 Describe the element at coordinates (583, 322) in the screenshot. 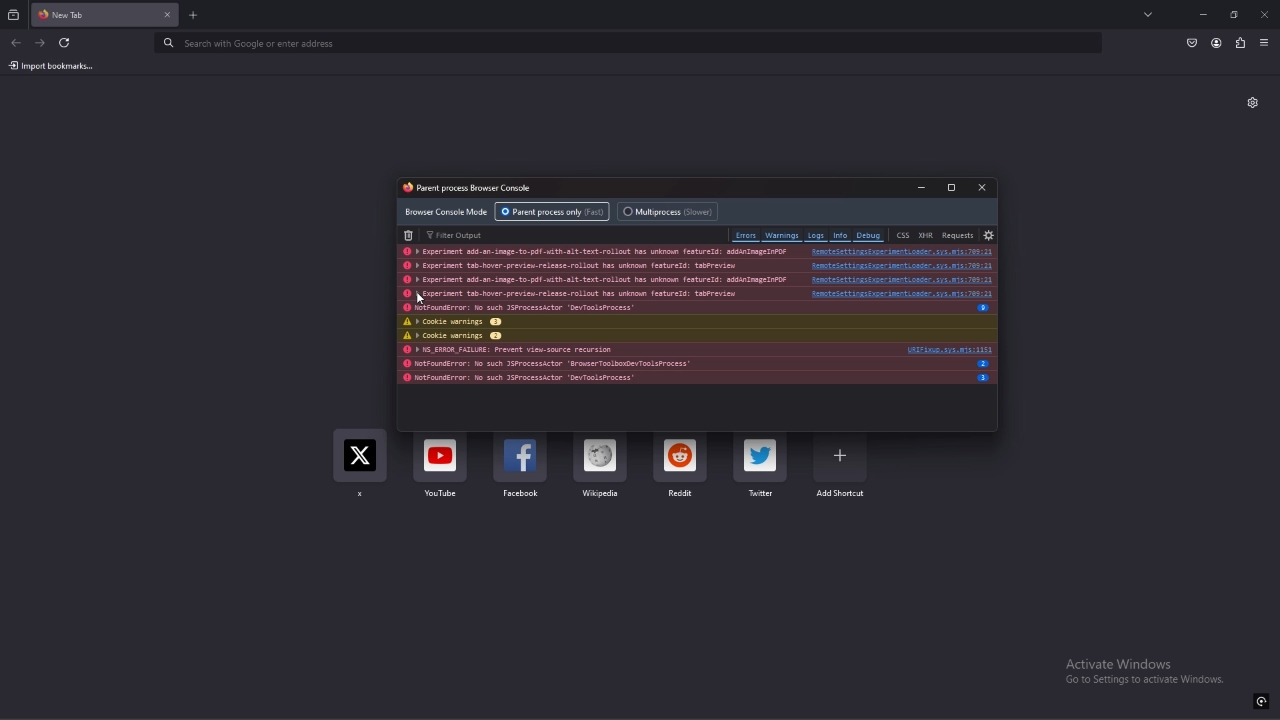

I see `cookie warnings` at that location.